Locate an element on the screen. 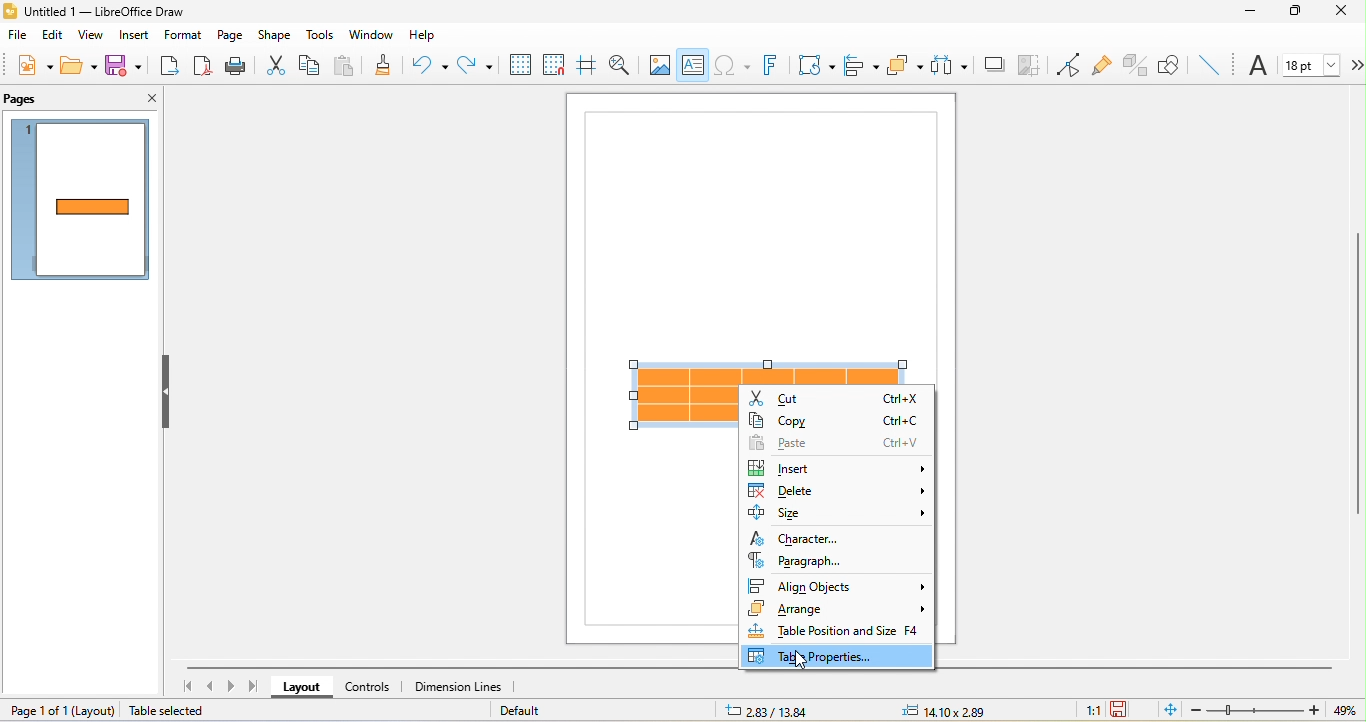  show draw function is located at coordinates (1171, 64).